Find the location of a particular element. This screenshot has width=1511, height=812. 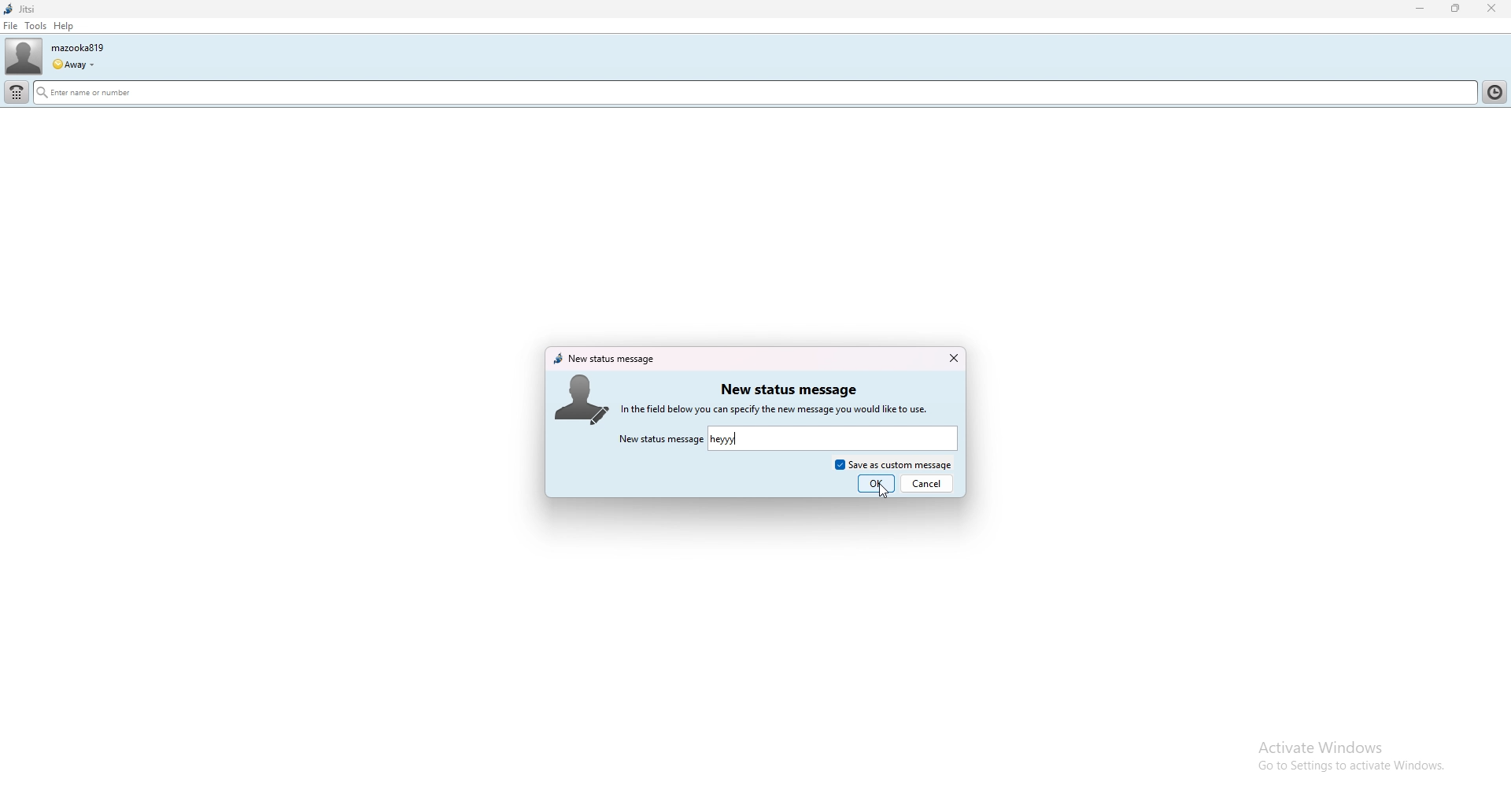

search bar is located at coordinates (626, 94).